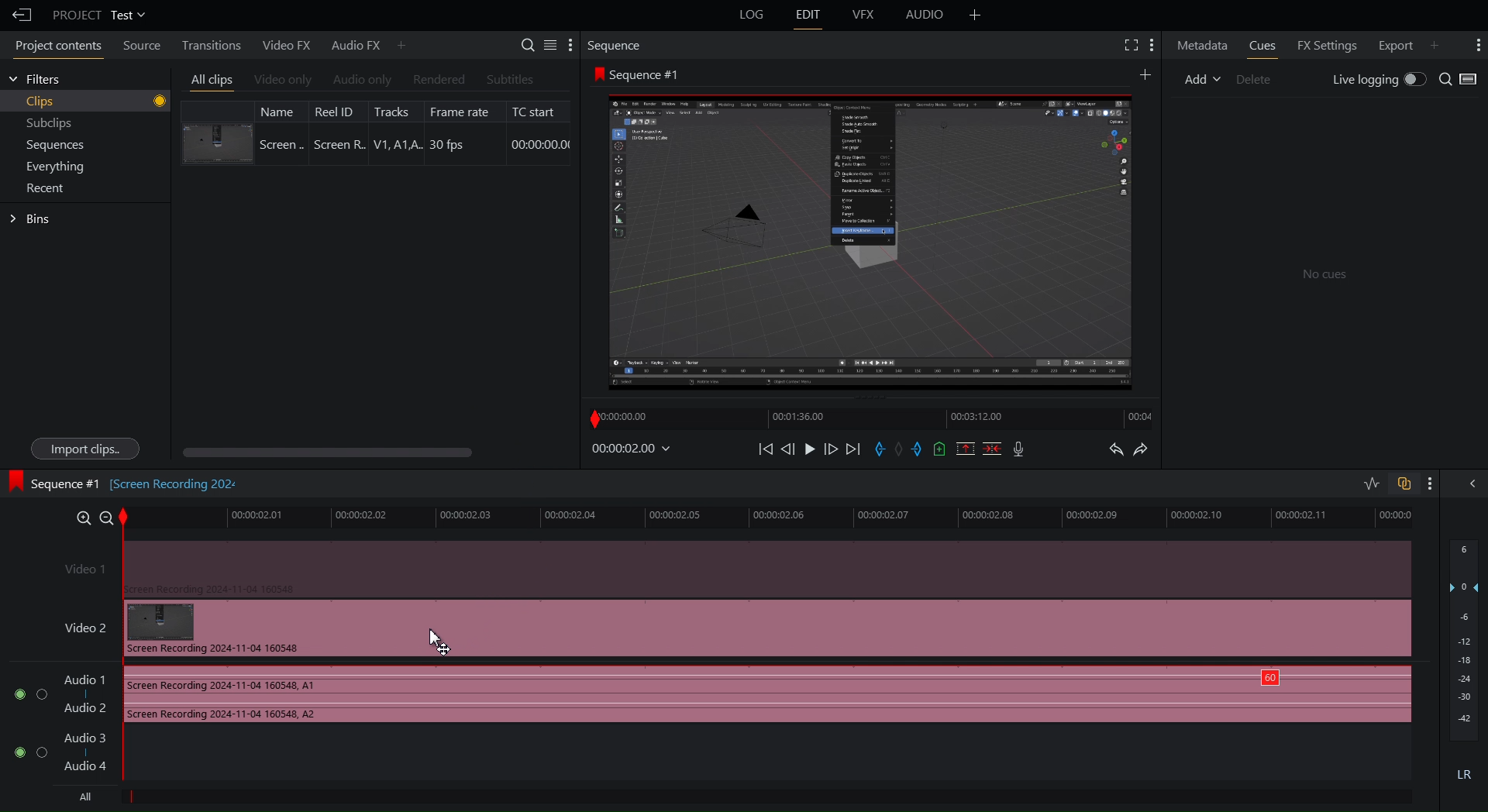 The image size is (1488, 812). Describe the element at coordinates (98, 15) in the screenshot. I see `Project Test` at that location.